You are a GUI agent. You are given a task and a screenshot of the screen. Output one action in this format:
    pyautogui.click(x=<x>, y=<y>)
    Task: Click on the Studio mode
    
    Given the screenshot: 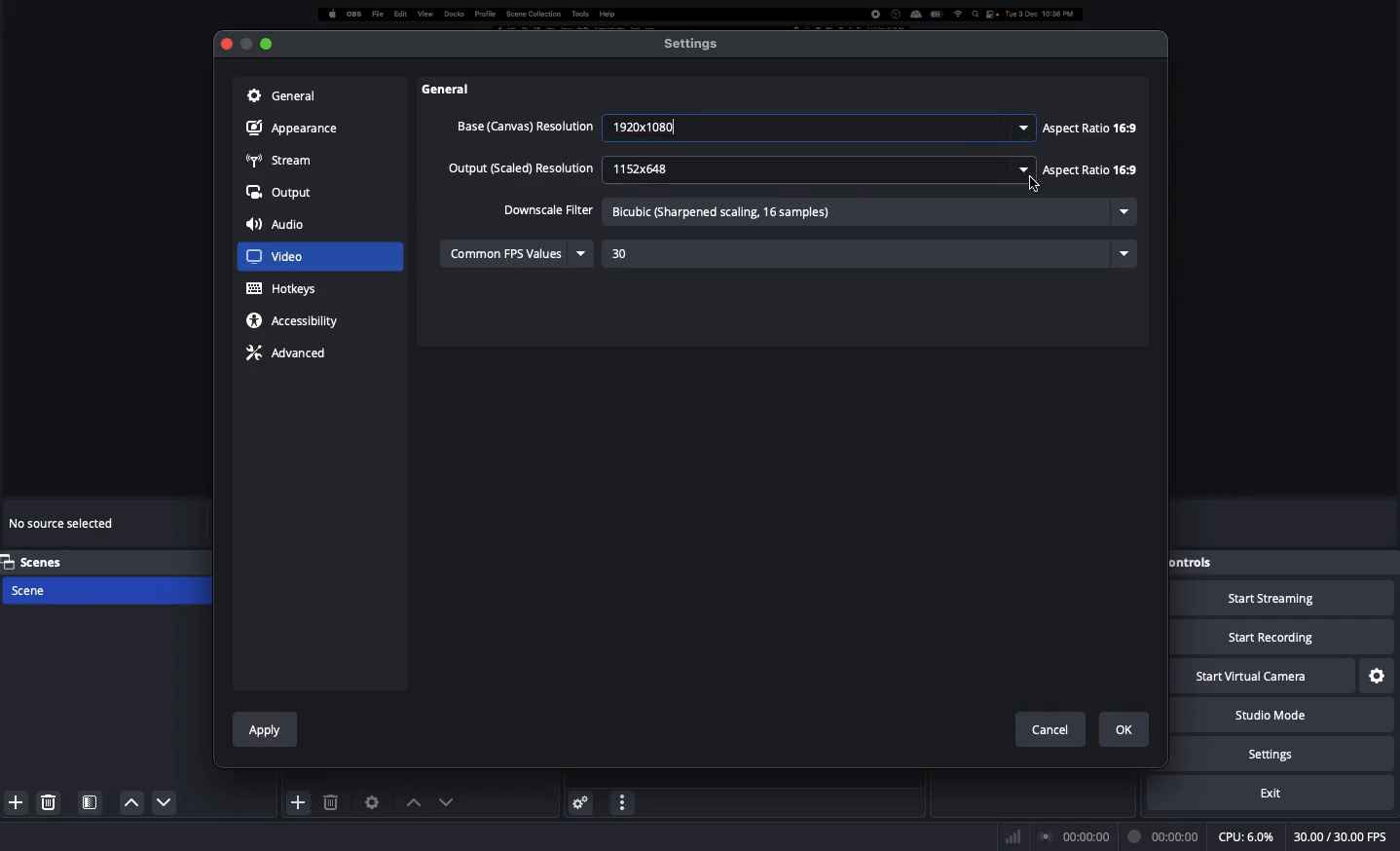 What is the action you would take?
    pyautogui.click(x=1291, y=716)
    